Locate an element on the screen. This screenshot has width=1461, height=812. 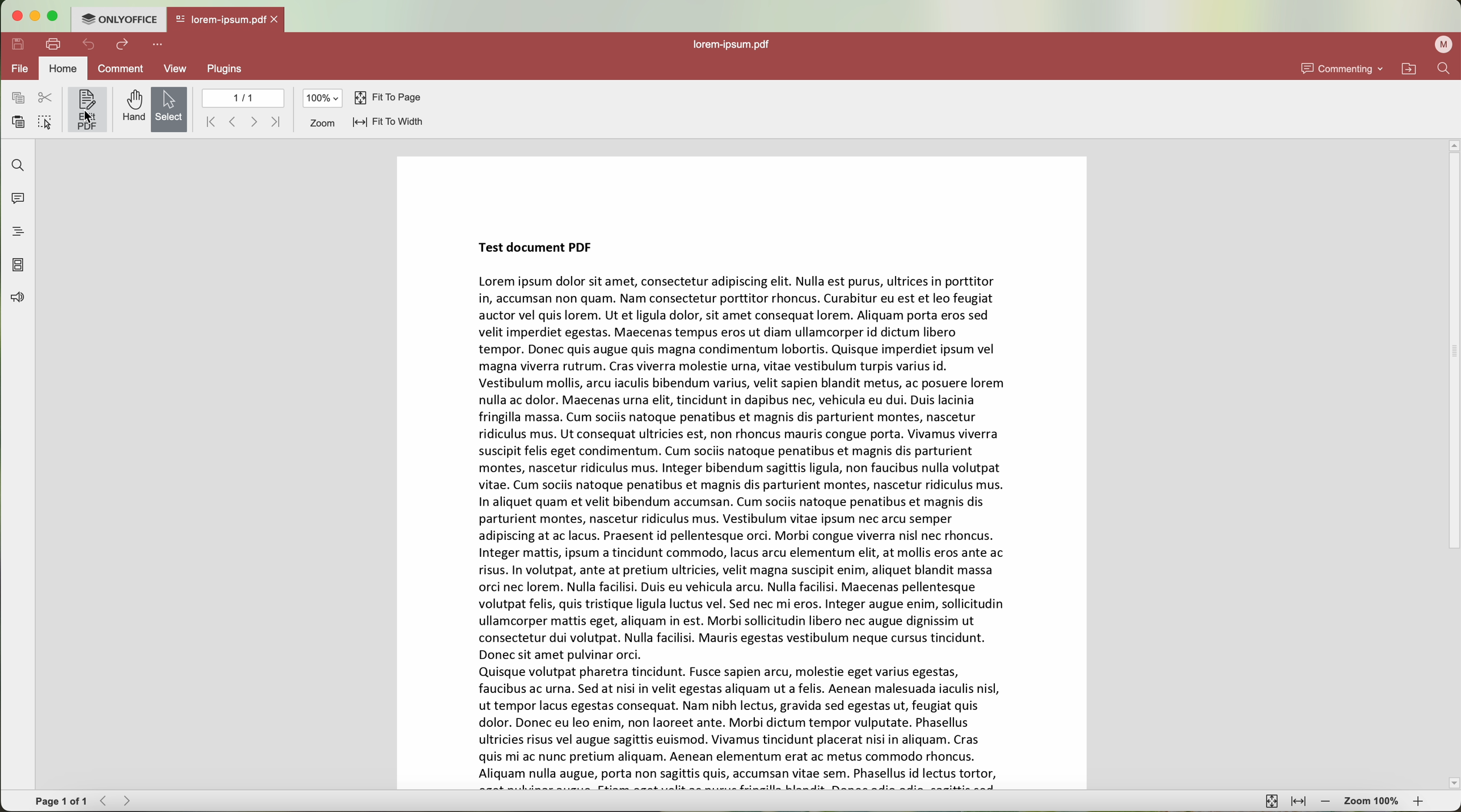
find is located at coordinates (16, 163).